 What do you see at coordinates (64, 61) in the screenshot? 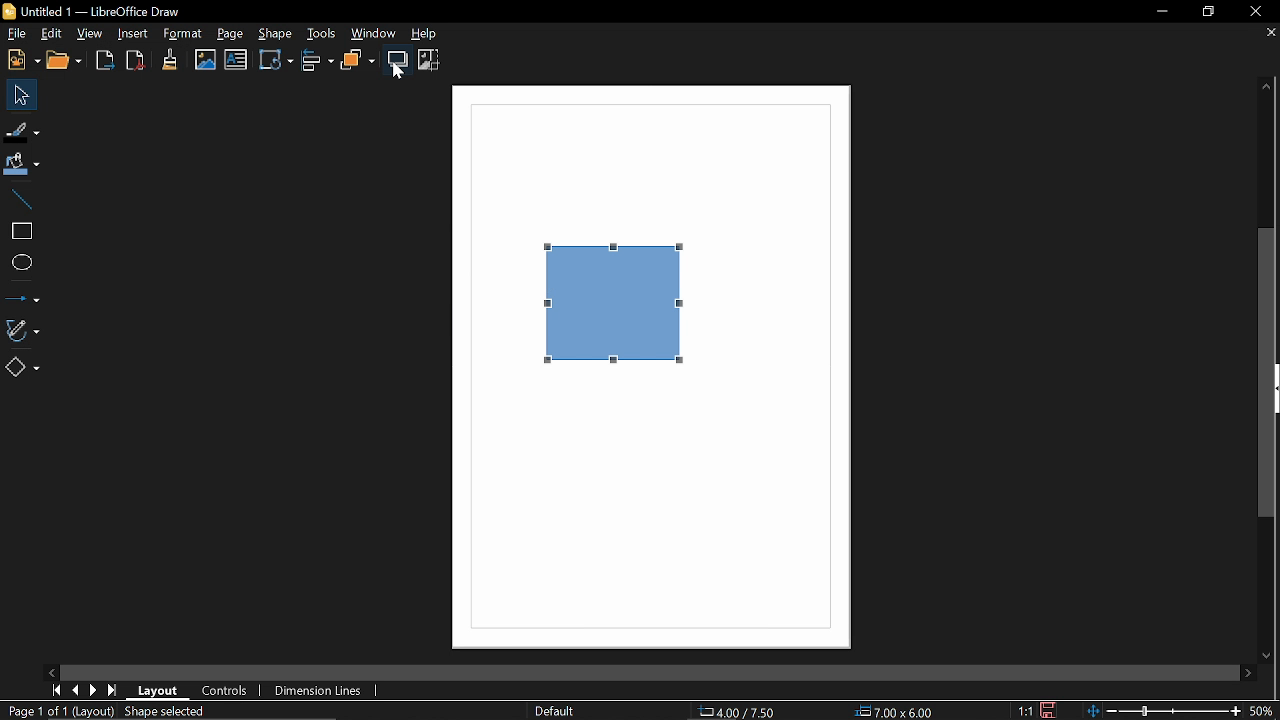
I see `Open` at bounding box center [64, 61].